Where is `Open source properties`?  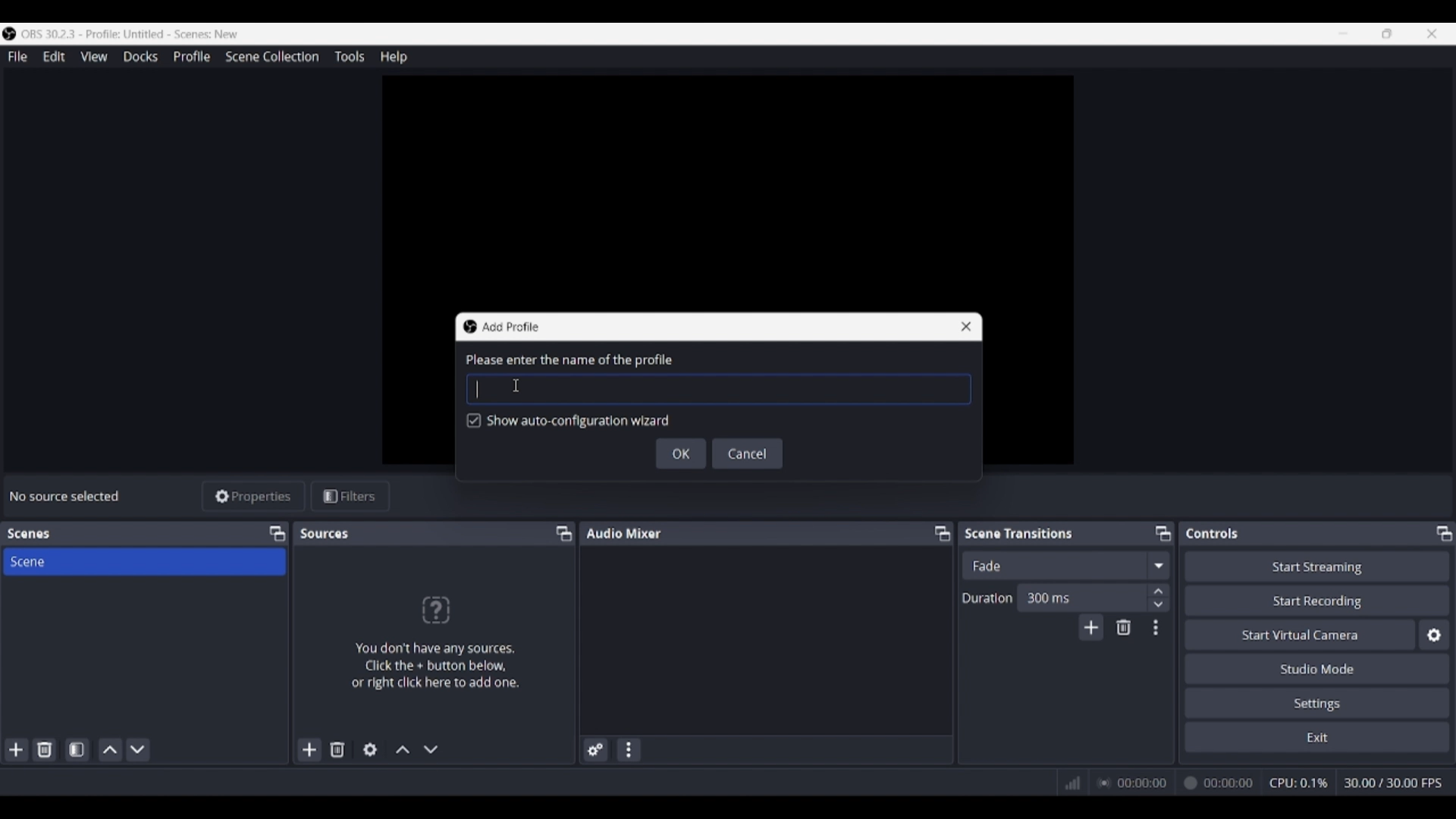
Open source properties is located at coordinates (370, 750).